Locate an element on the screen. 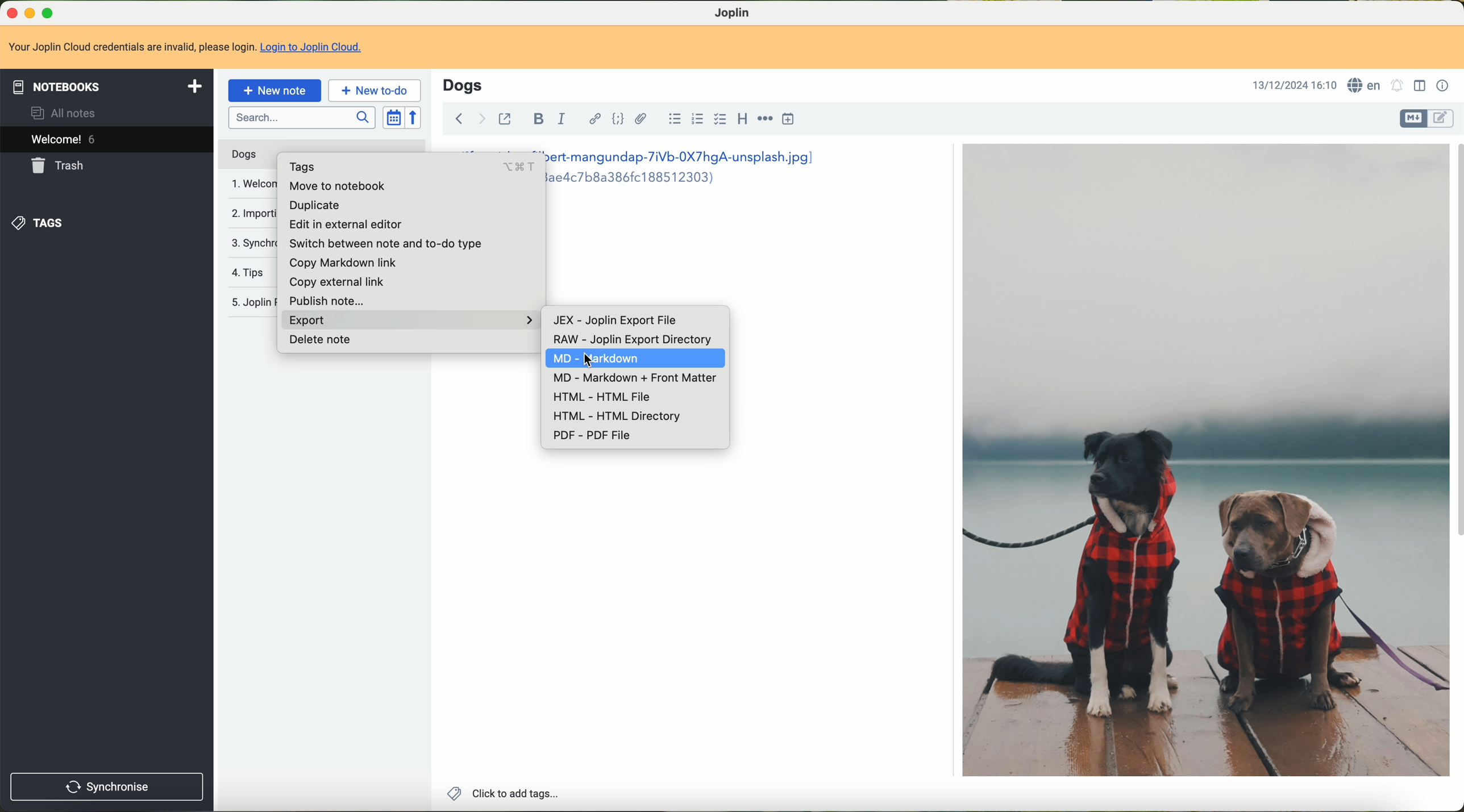  notebooks is located at coordinates (107, 86).